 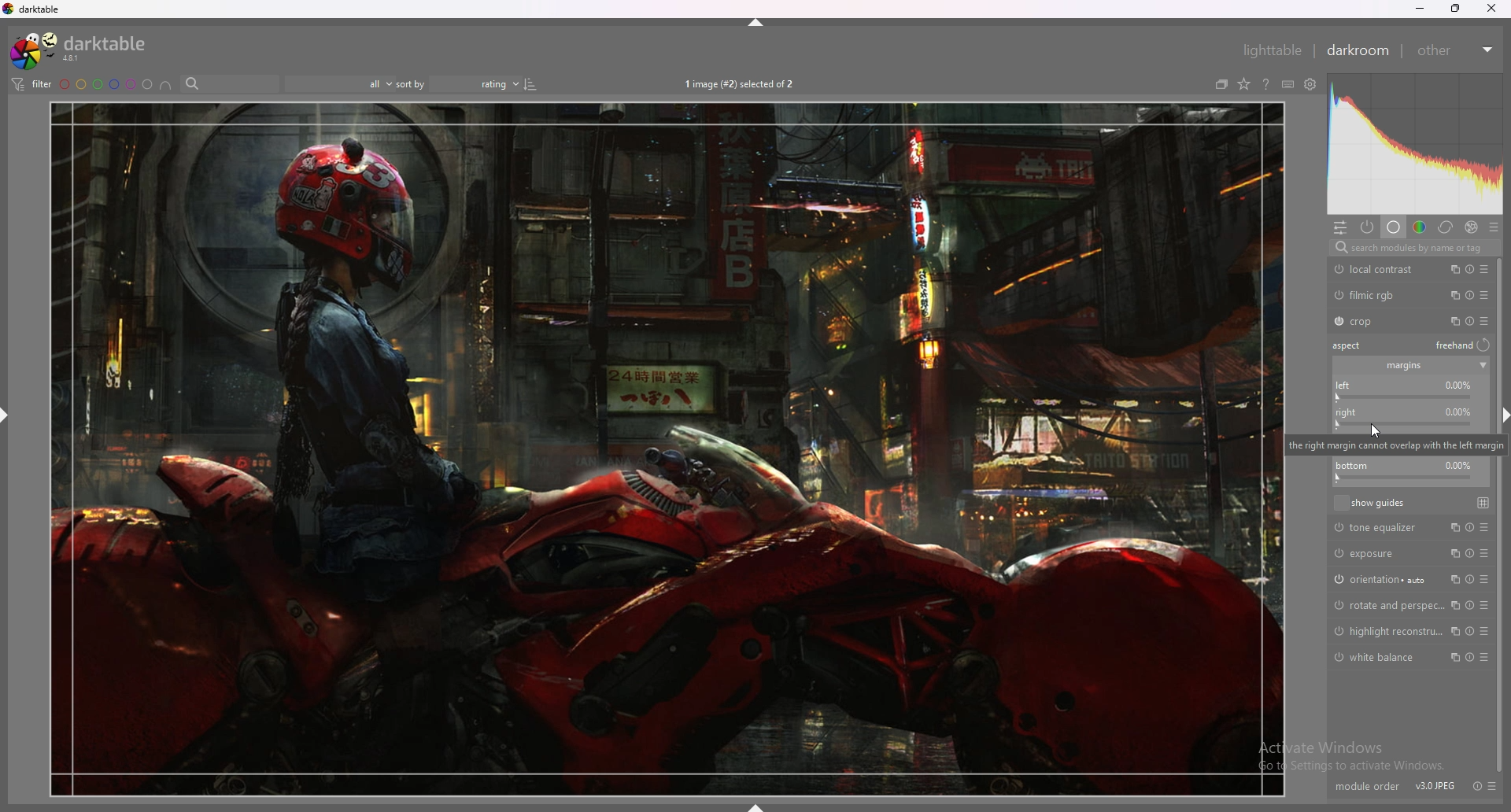 I want to click on local contrast, so click(x=1379, y=269).